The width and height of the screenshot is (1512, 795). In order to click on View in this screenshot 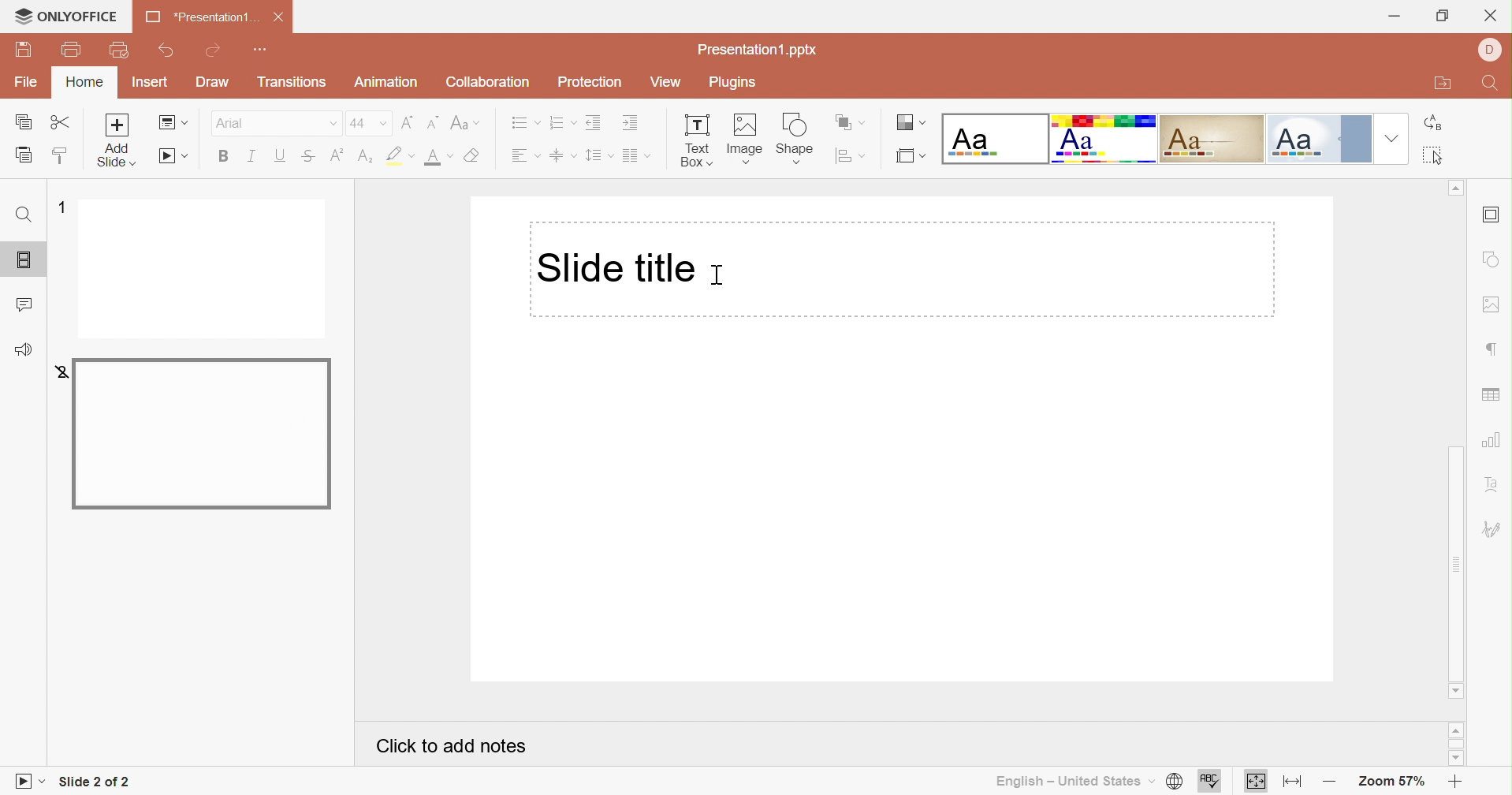, I will do `click(664, 82)`.